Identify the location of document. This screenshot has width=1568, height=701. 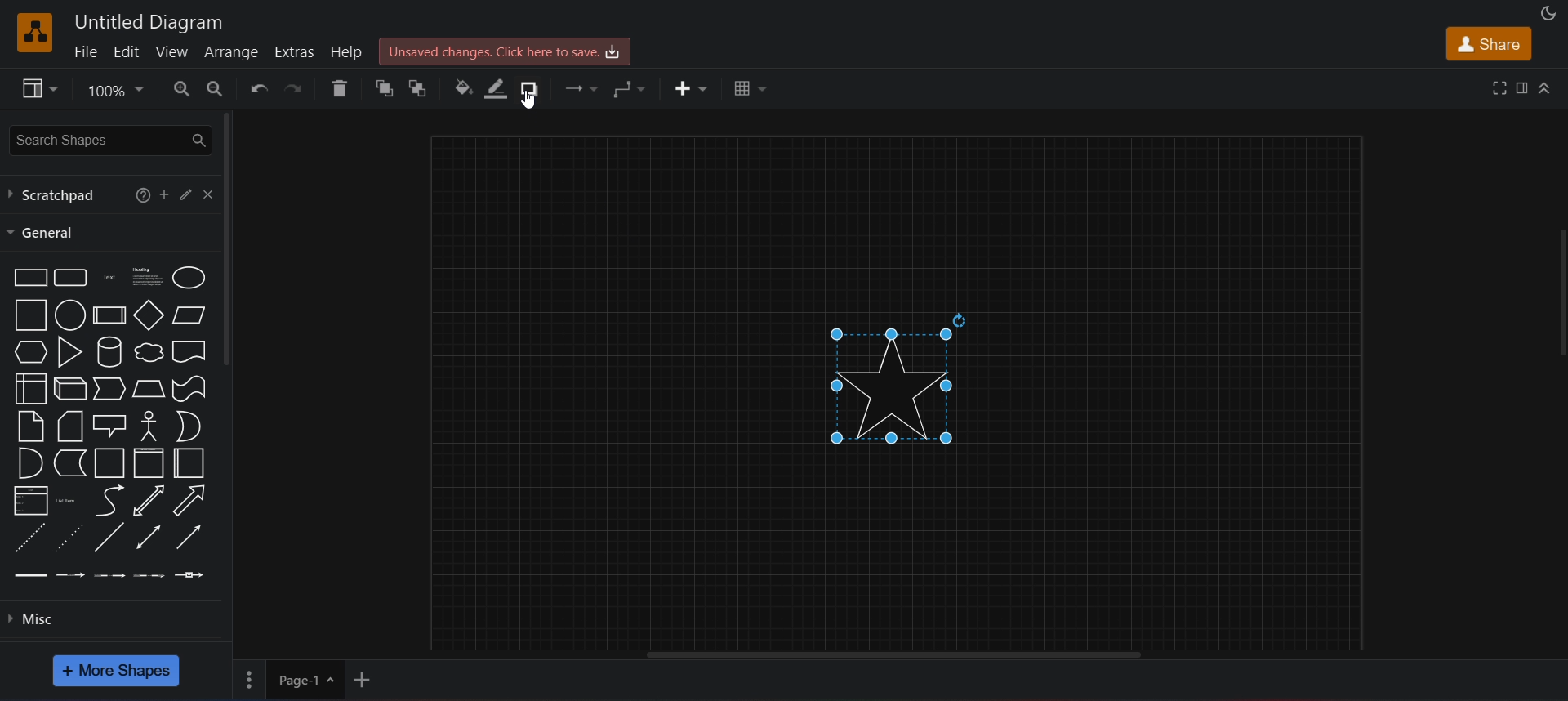
(189, 351).